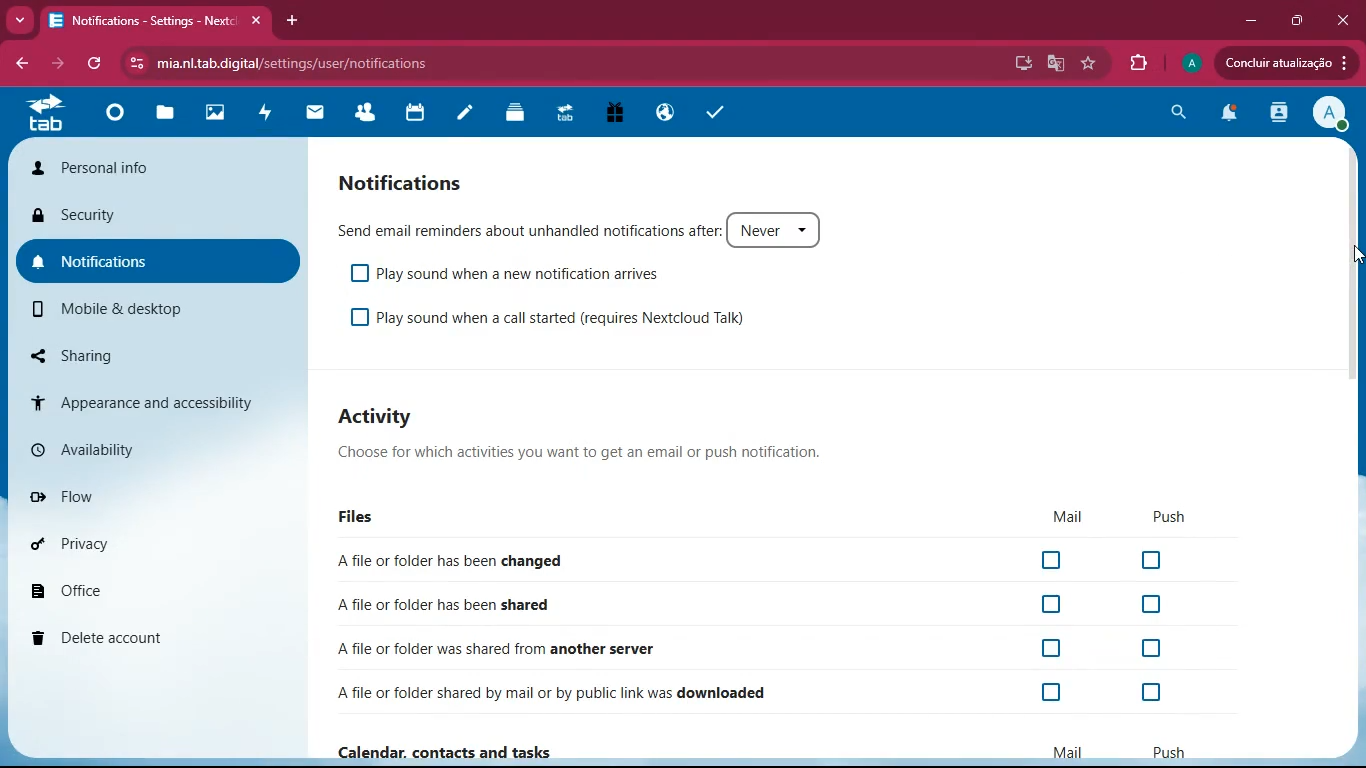 This screenshot has height=768, width=1366. I want to click on files, so click(170, 114).